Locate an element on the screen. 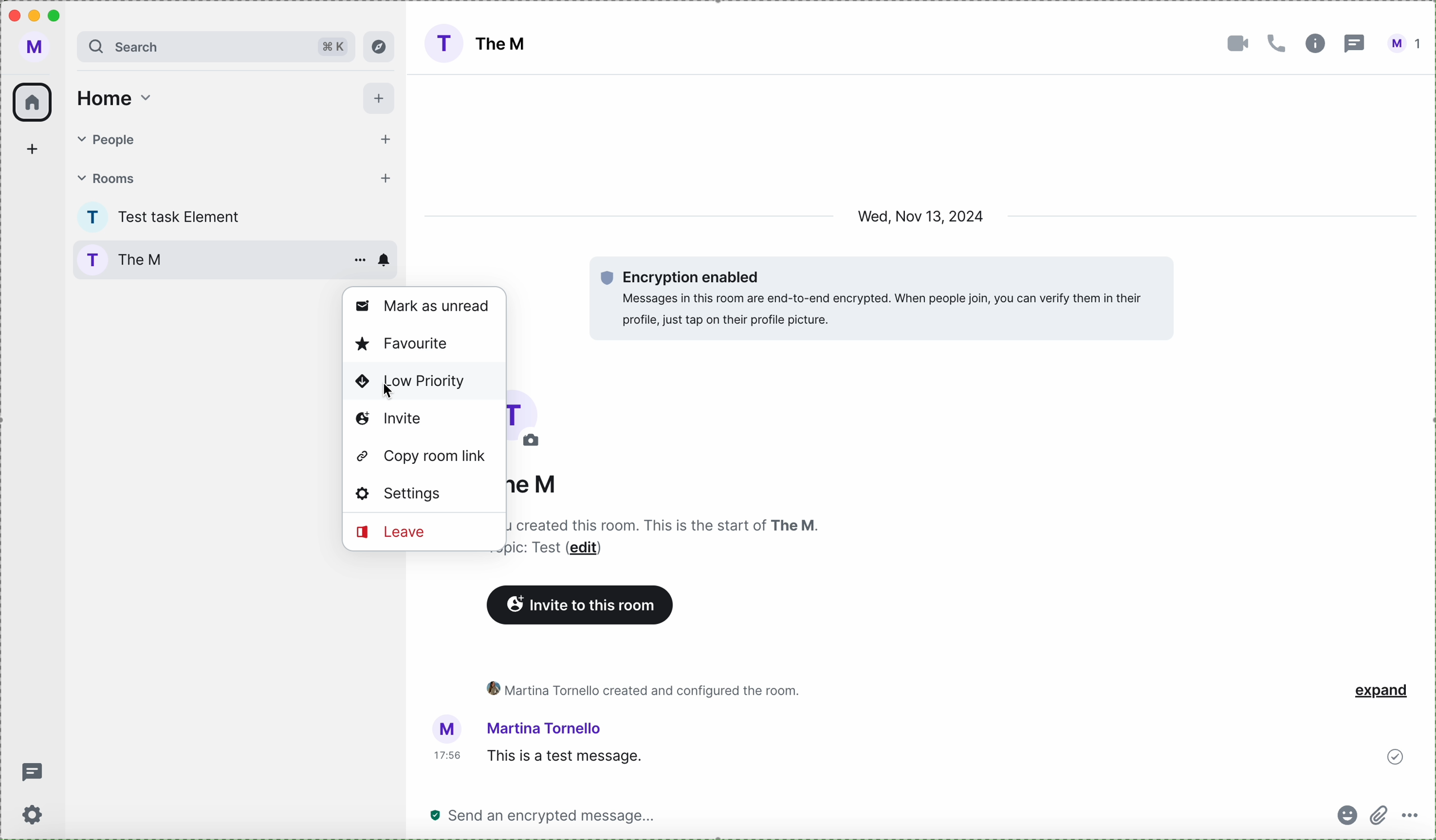 The height and width of the screenshot is (840, 1436). mark as unread is located at coordinates (423, 307).